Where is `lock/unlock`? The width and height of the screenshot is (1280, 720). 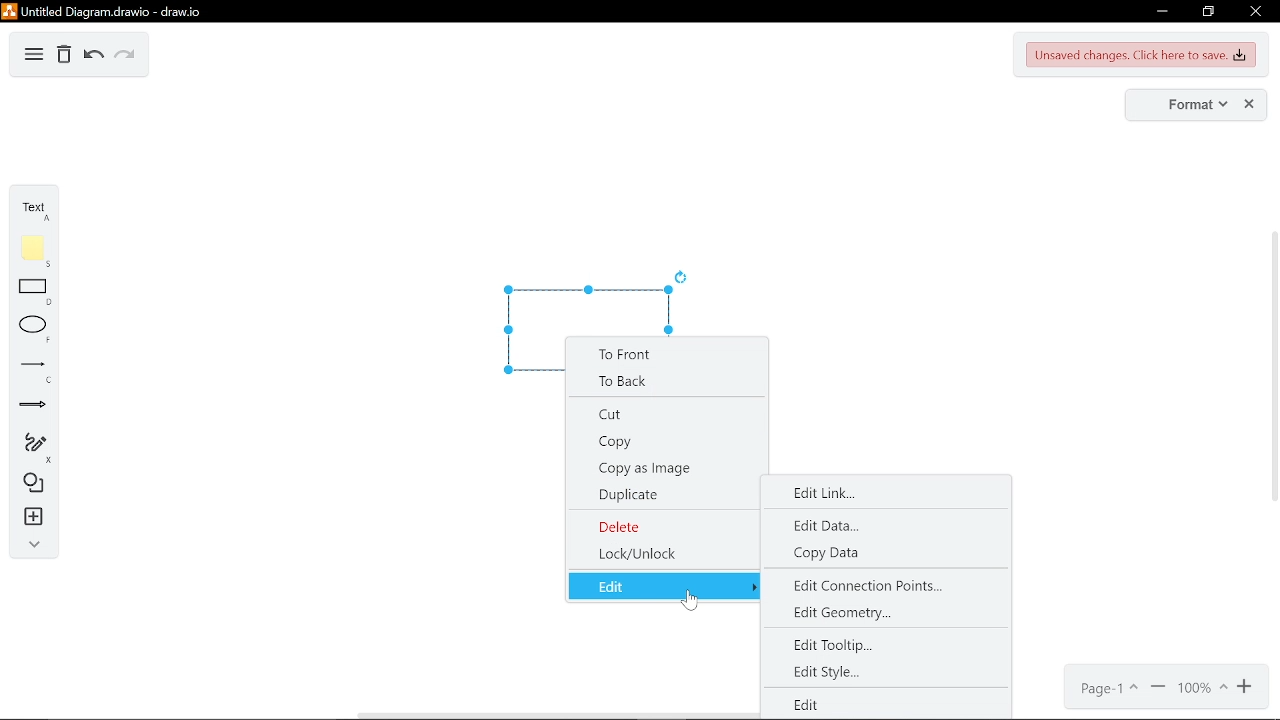 lock/unlock is located at coordinates (662, 555).